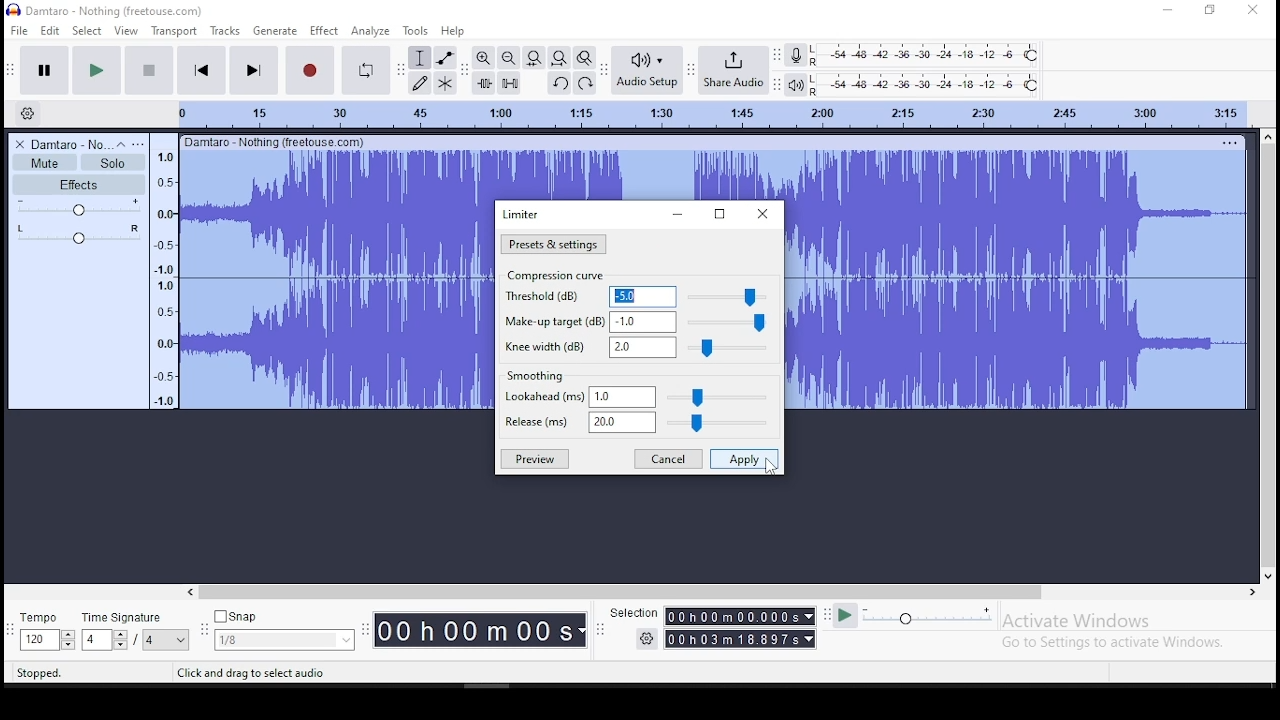 This screenshot has height=720, width=1280. I want to click on help, so click(452, 30).